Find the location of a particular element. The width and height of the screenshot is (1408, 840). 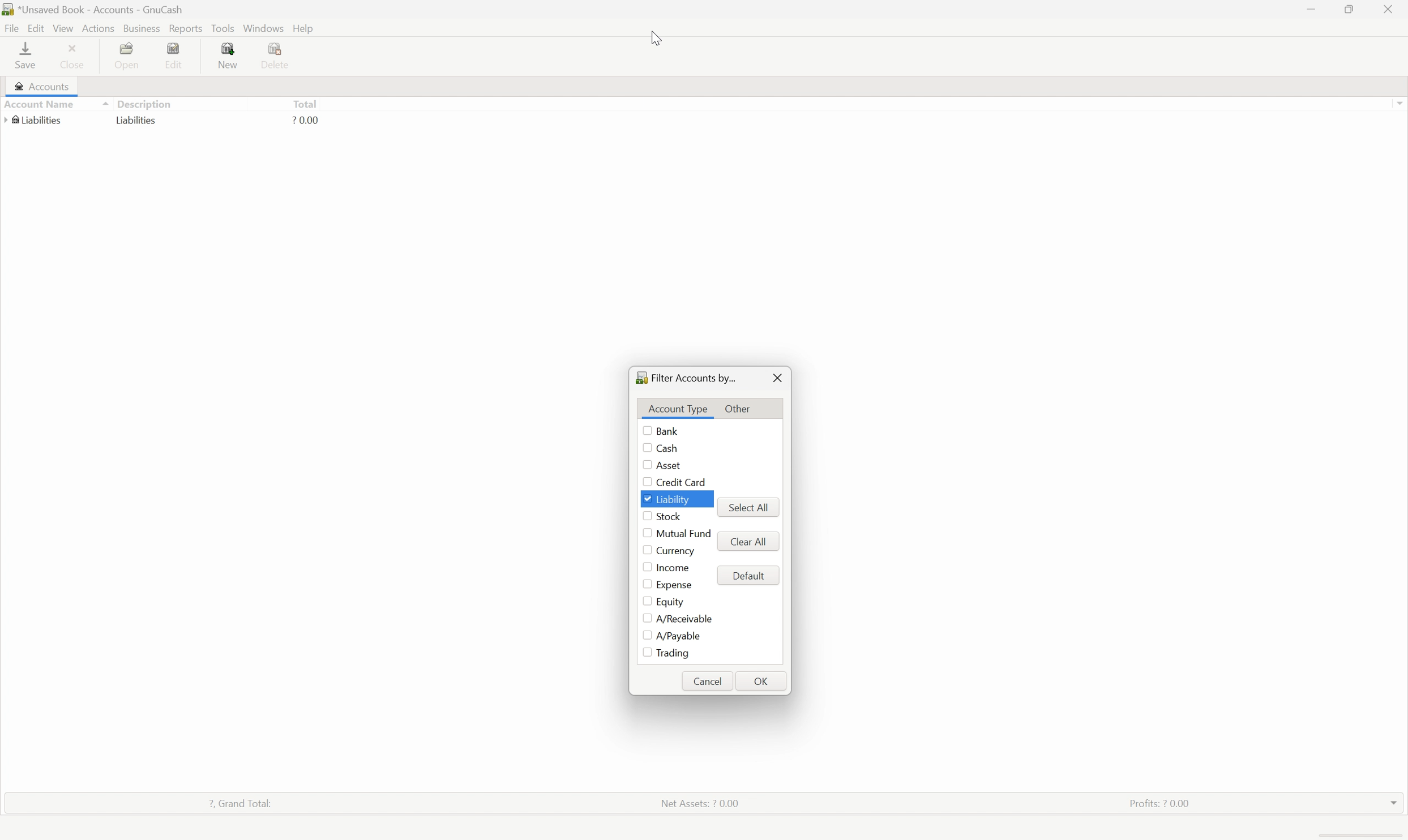

Scroll up is located at coordinates (1399, 102).